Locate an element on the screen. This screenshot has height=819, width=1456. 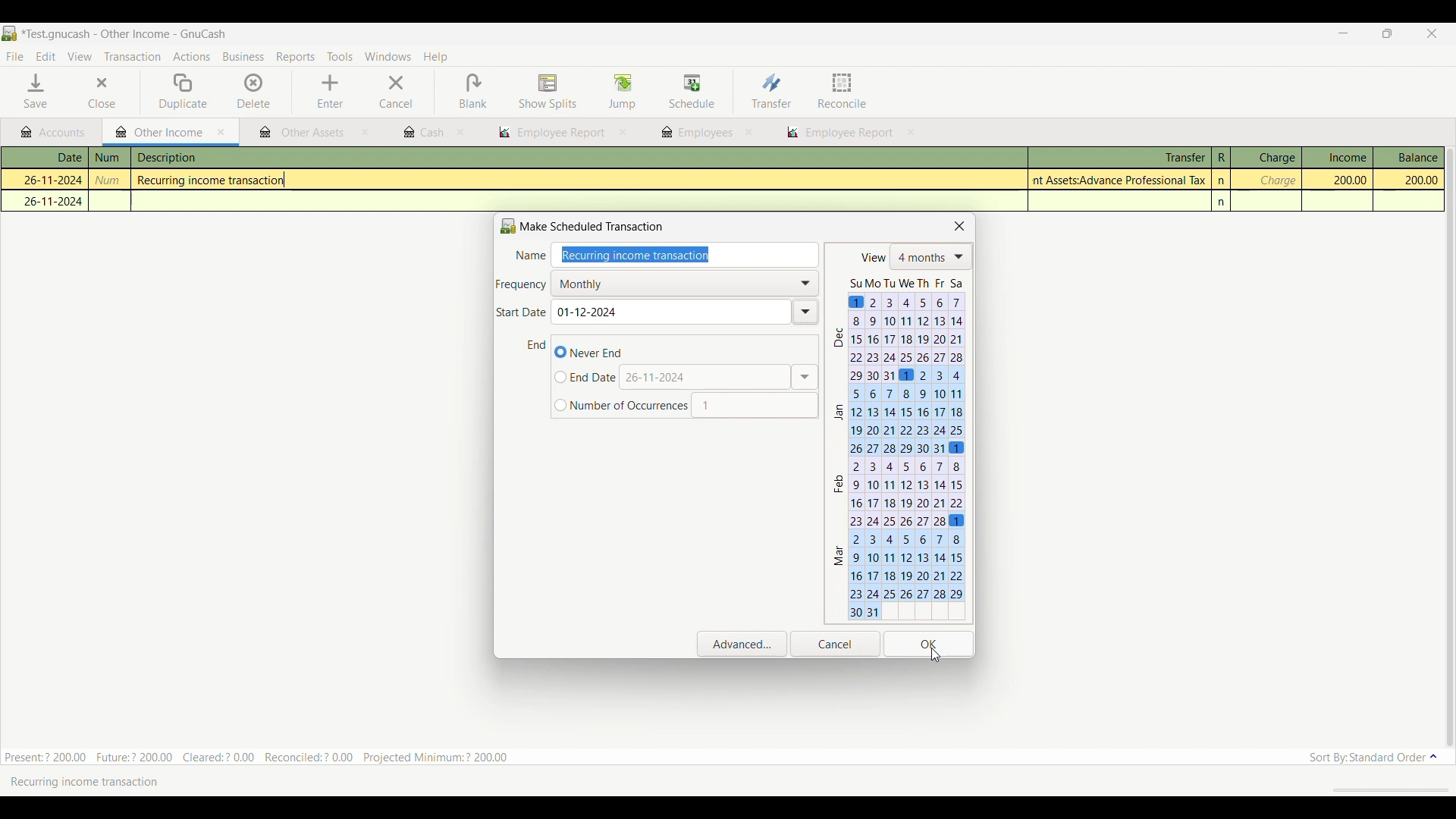
Duplicate is located at coordinates (184, 92).